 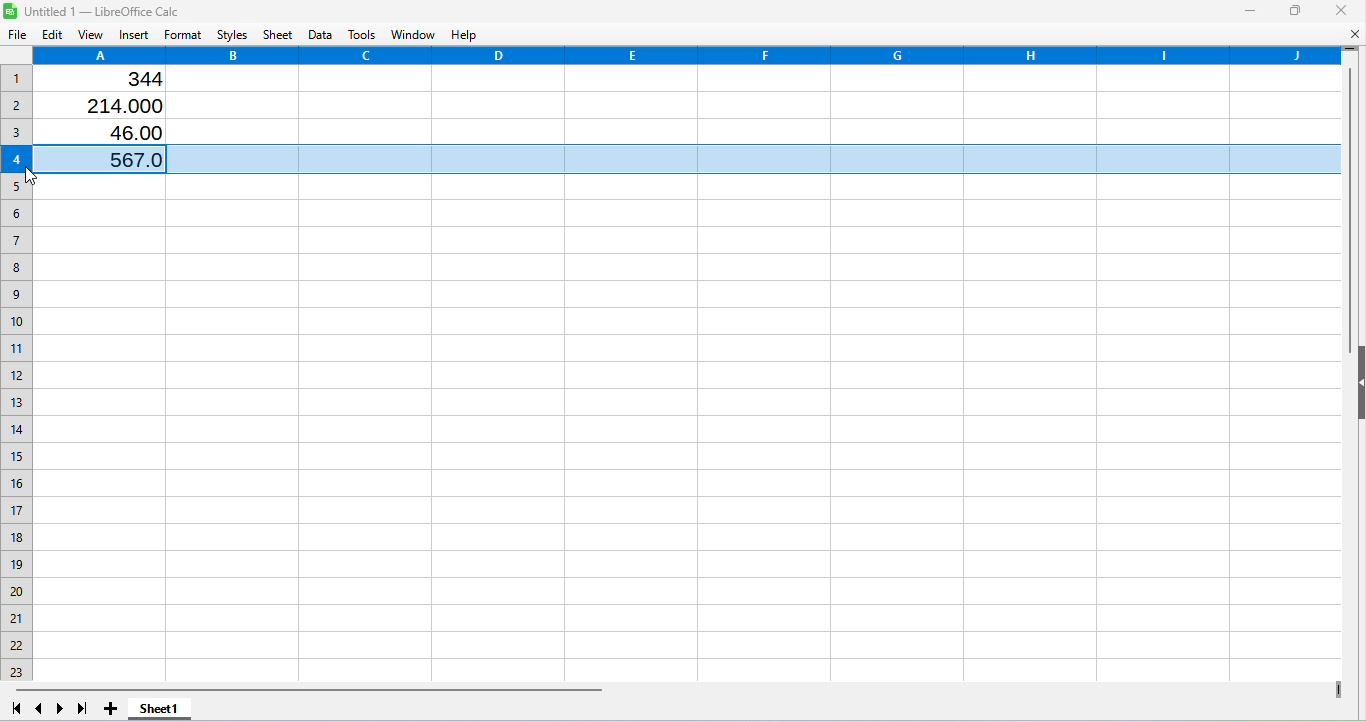 I want to click on Scroll to next sheet, so click(x=60, y=709).